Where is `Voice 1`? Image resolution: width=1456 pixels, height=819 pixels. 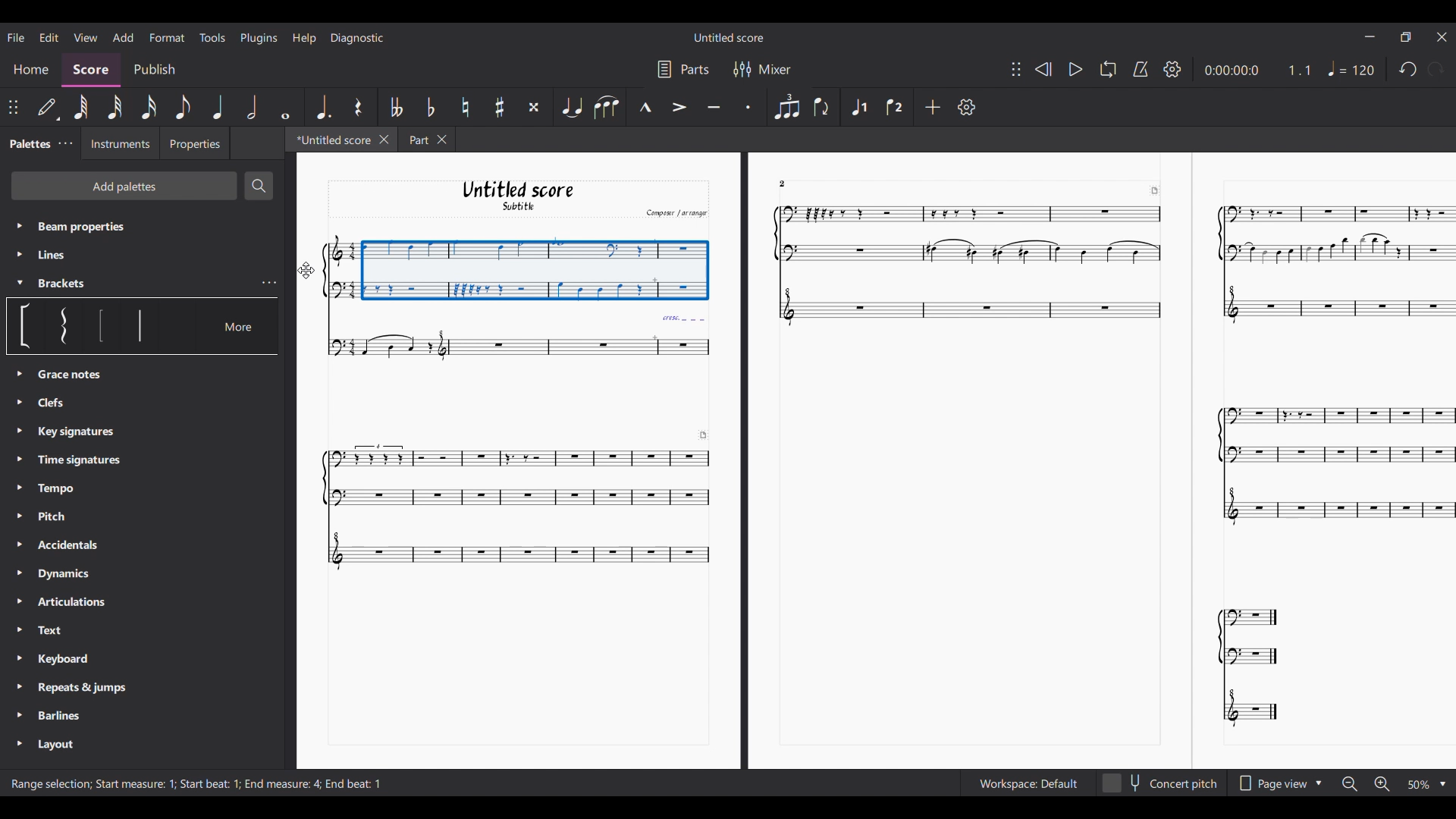 Voice 1 is located at coordinates (859, 105).